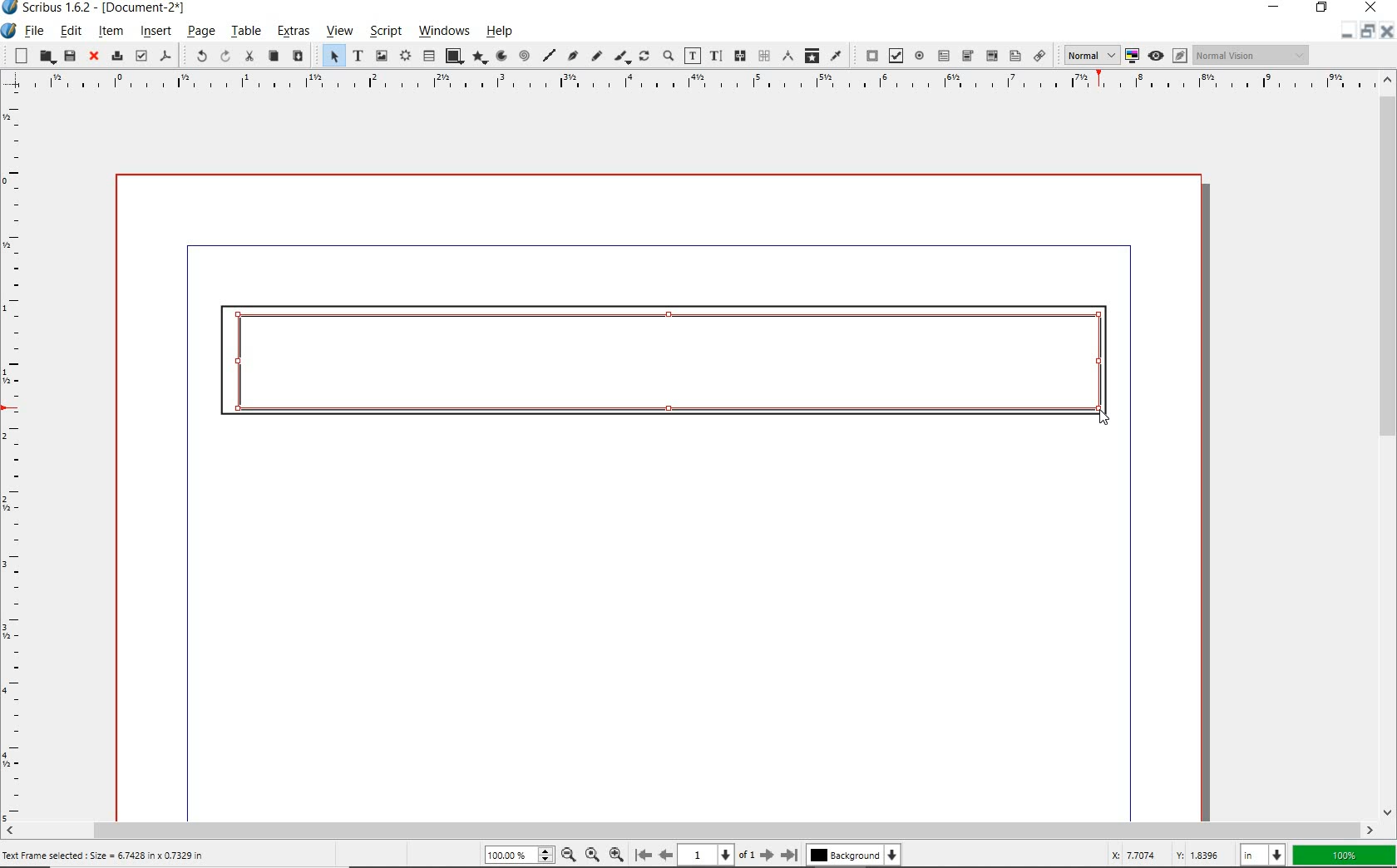  I want to click on scrollbar, so click(1389, 445).